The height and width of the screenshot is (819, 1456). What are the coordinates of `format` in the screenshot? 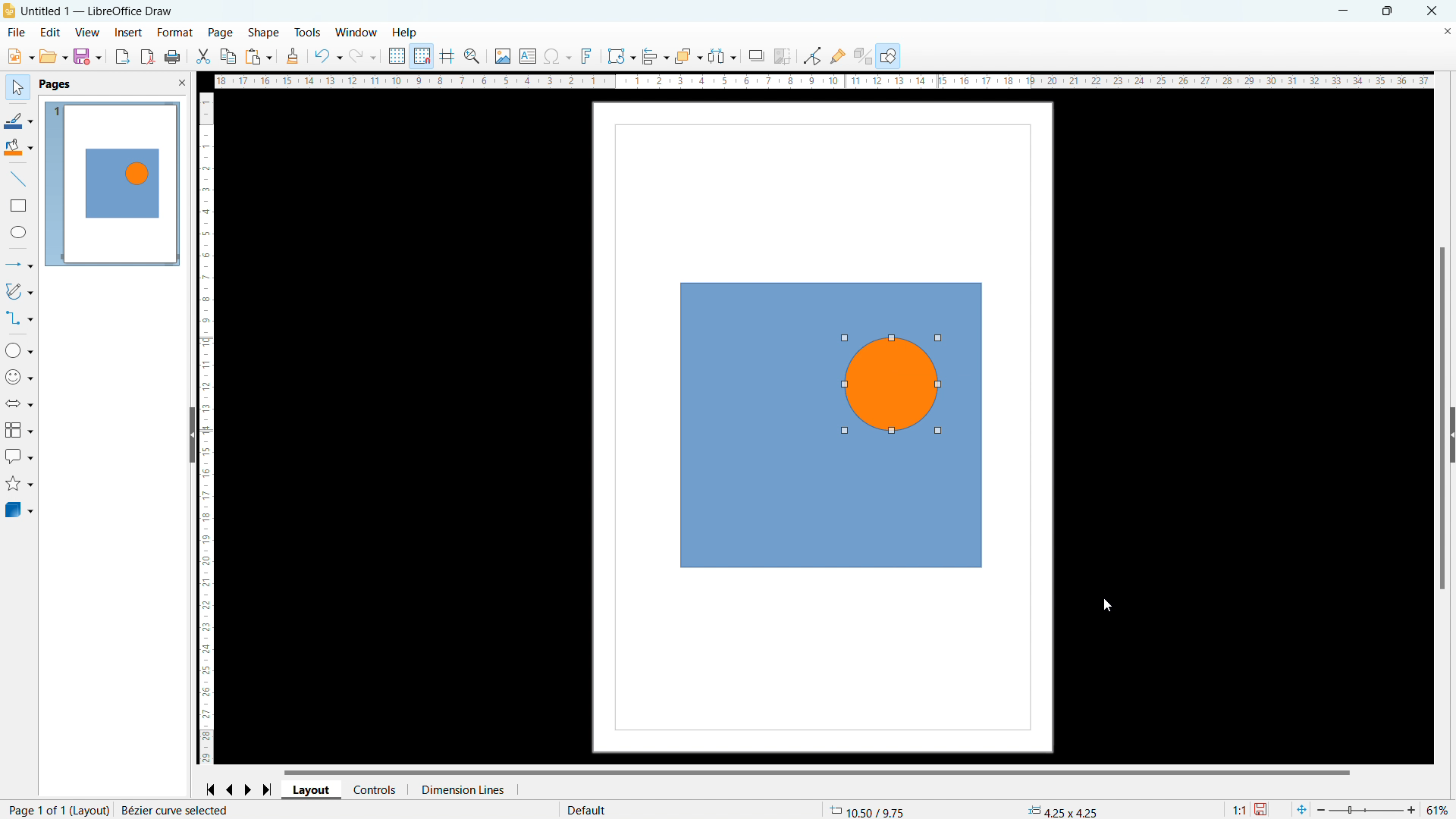 It's located at (175, 33).